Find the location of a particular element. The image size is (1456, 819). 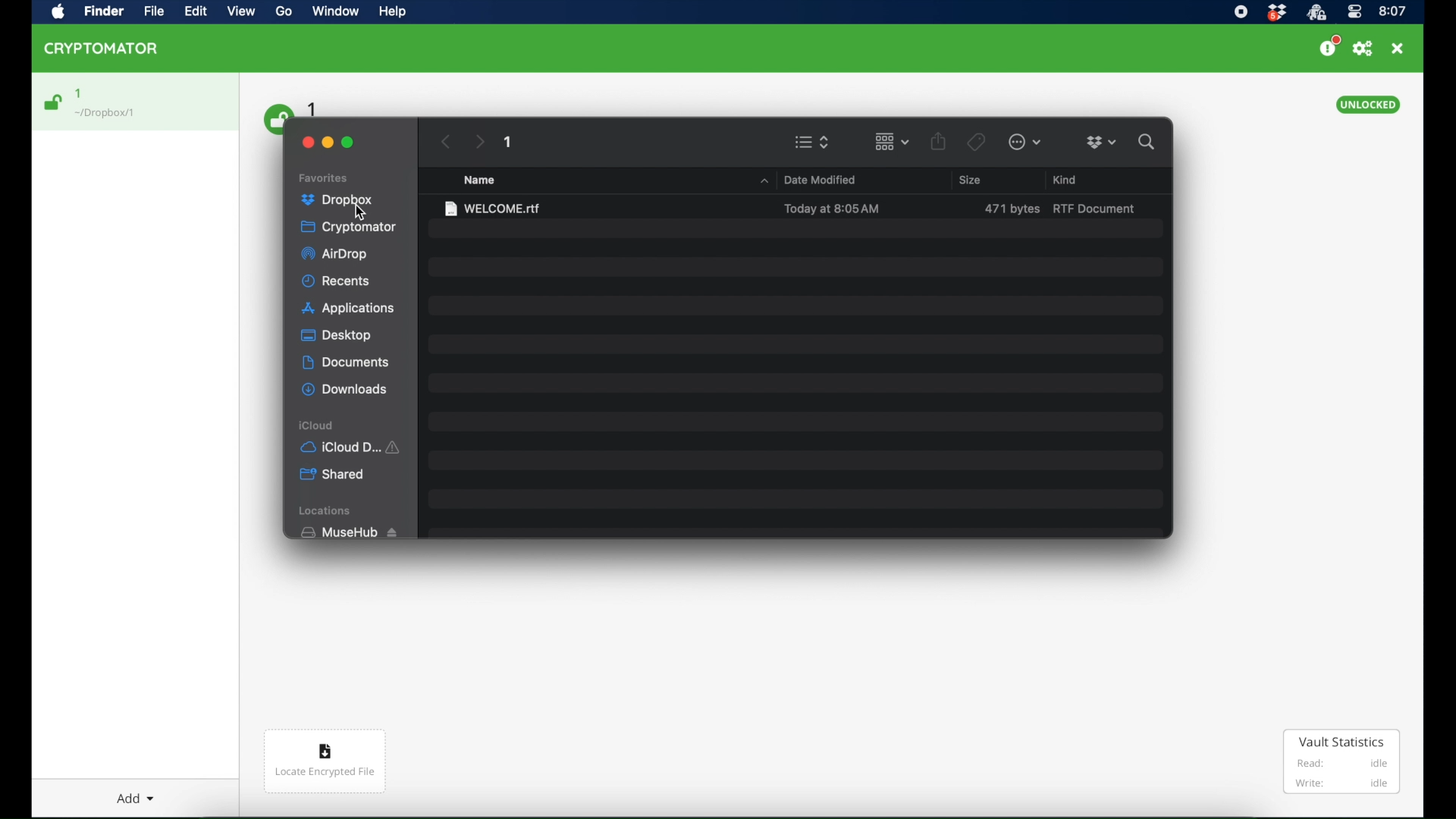

share is located at coordinates (939, 140).